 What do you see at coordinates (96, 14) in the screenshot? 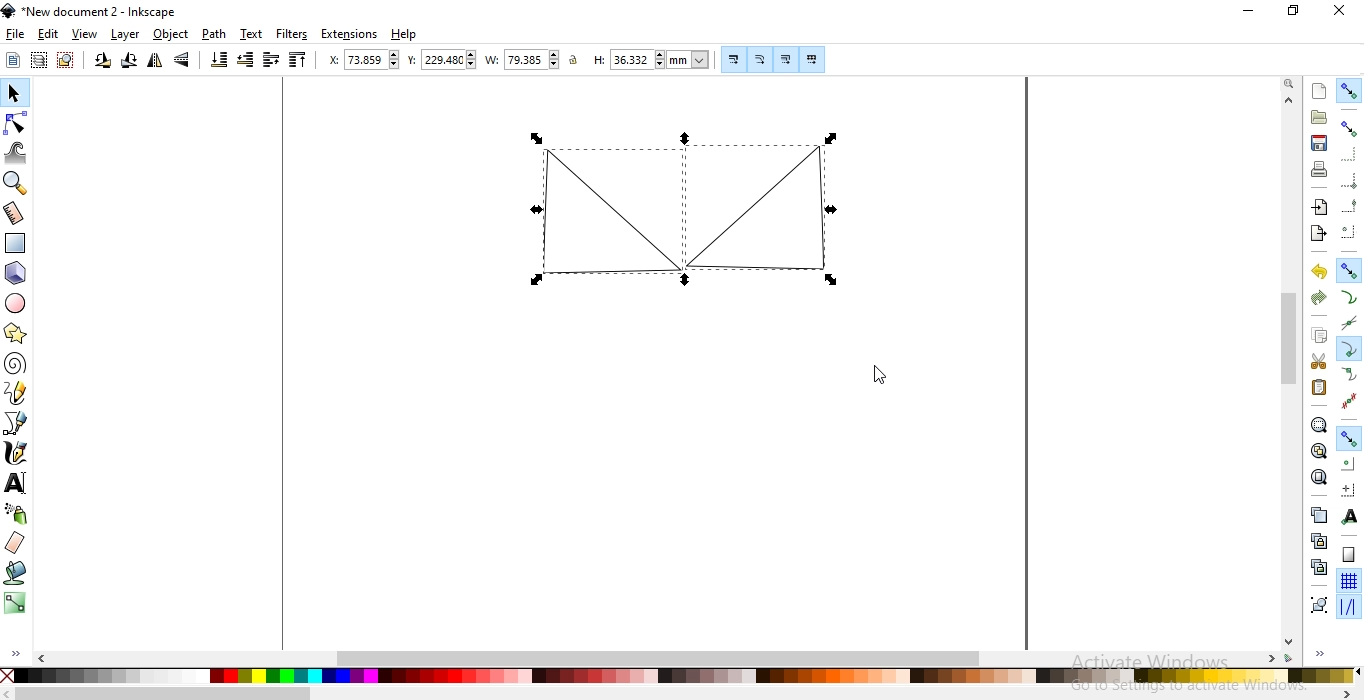
I see `new document 2 - inkscape` at bounding box center [96, 14].